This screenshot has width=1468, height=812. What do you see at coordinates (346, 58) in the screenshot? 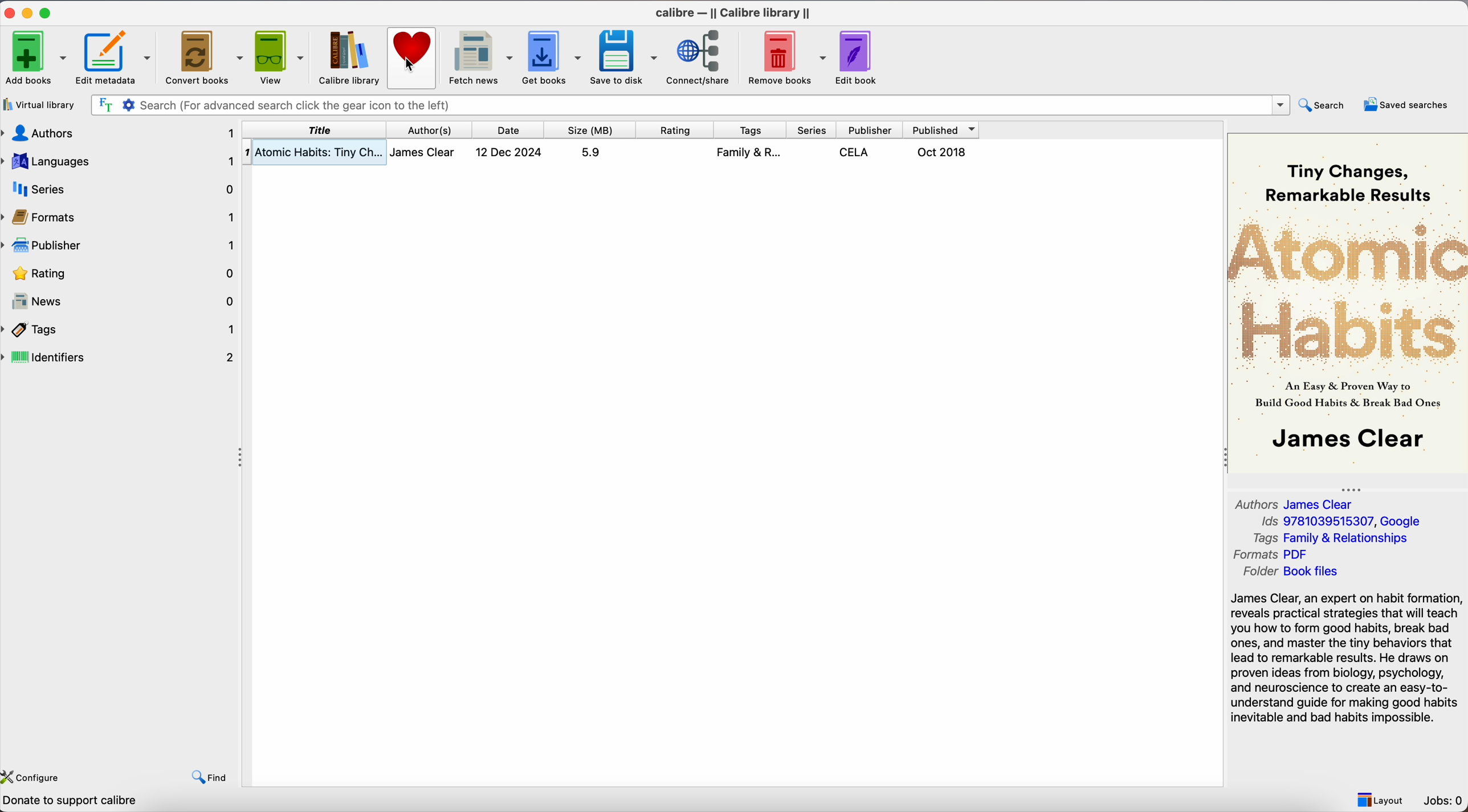
I see `Calibre library` at bounding box center [346, 58].